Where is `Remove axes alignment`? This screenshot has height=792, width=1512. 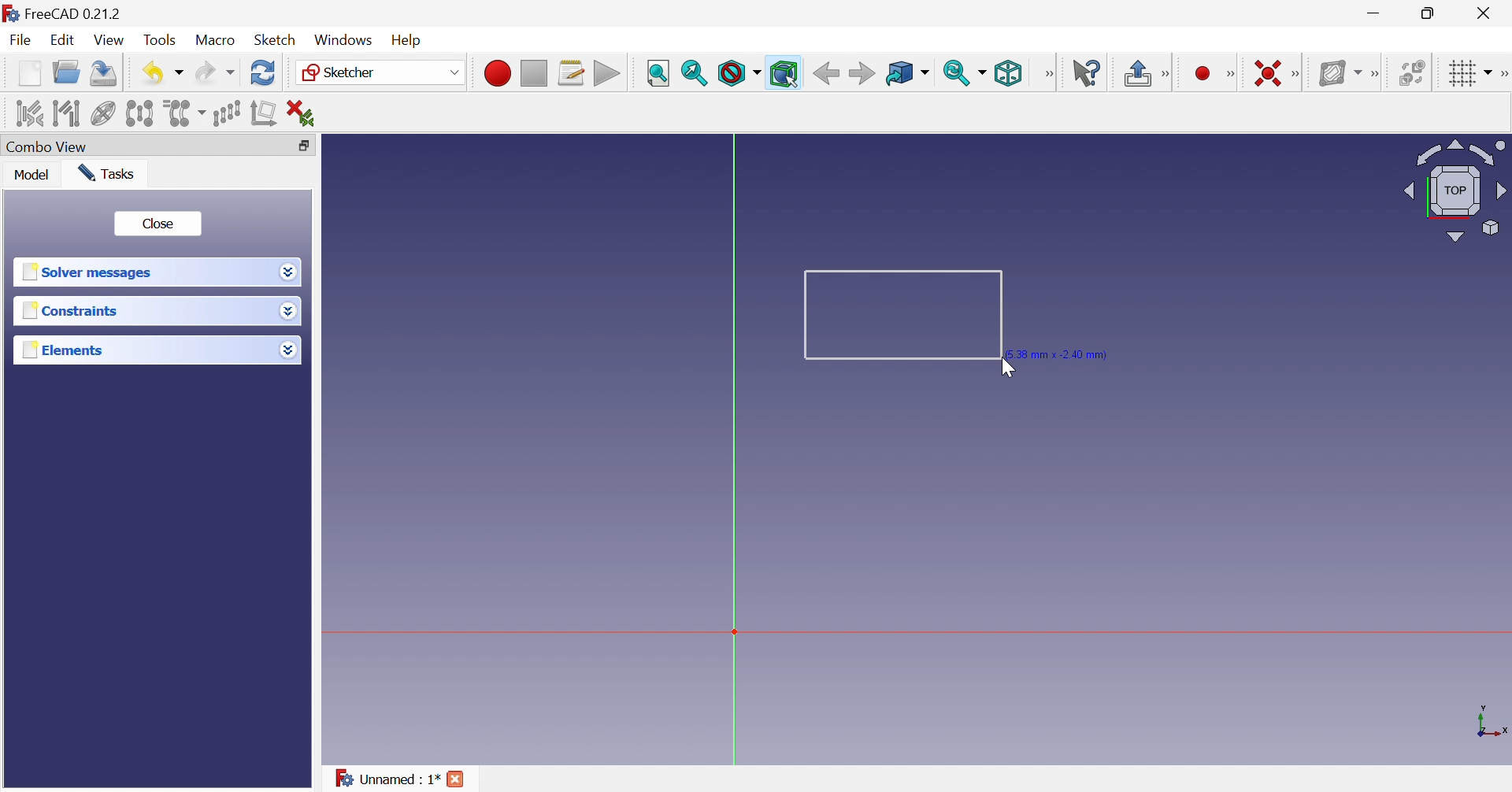 Remove axes alignment is located at coordinates (264, 115).